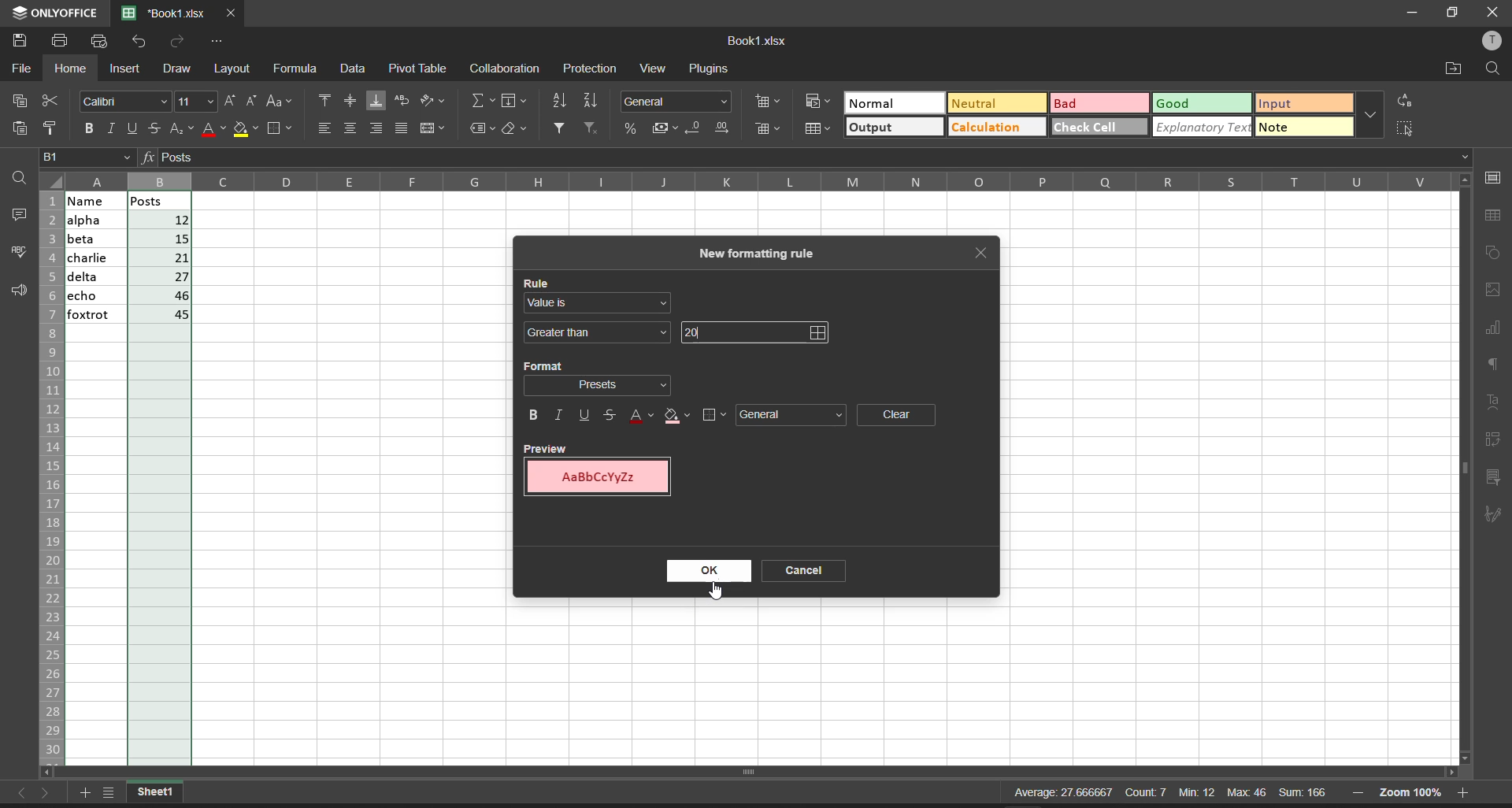  What do you see at coordinates (759, 252) in the screenshot?
I see `new formating rule` at bounding box center [759, 252].